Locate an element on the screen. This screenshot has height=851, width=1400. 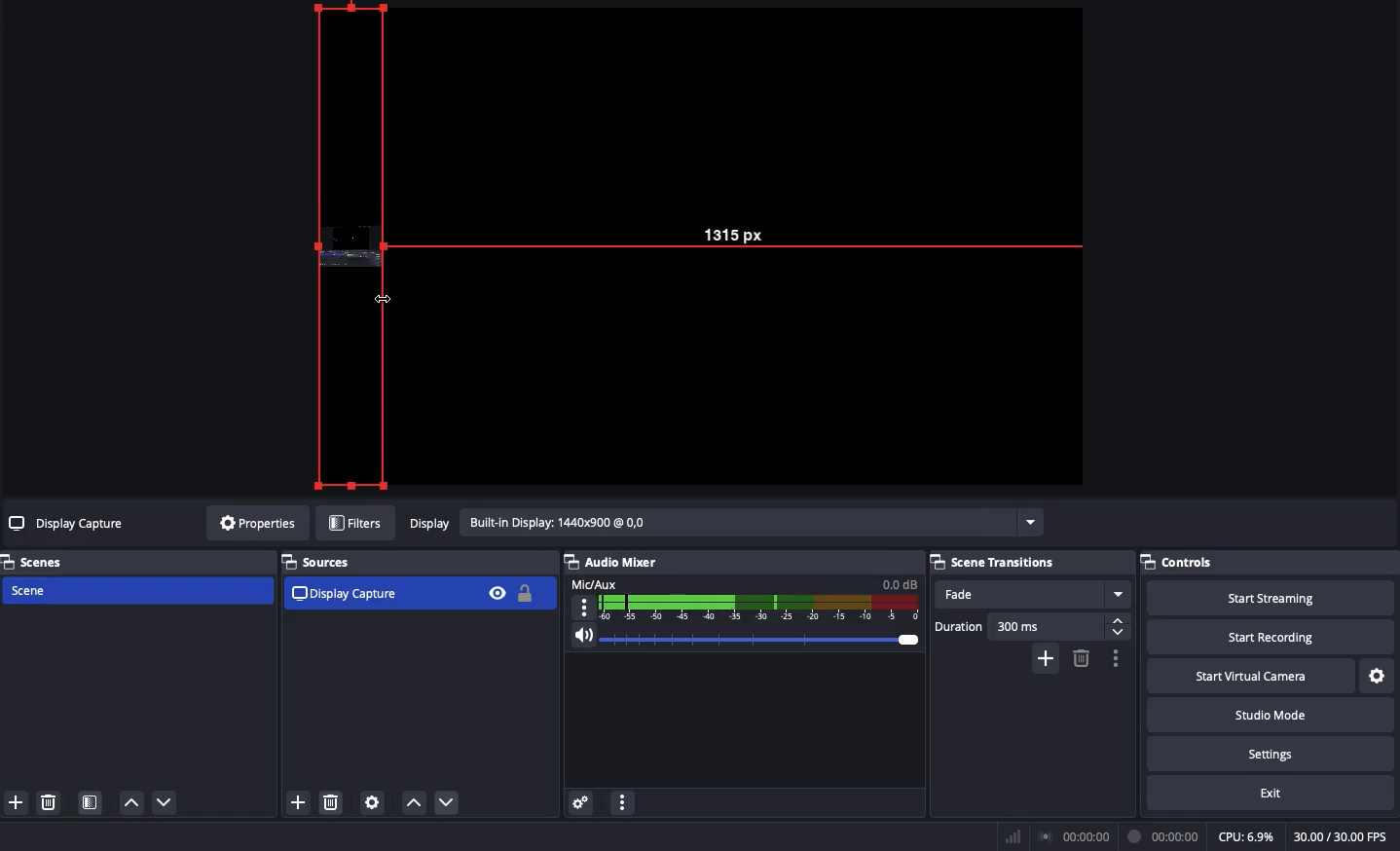
Options is located at coordinates (1113, 658).